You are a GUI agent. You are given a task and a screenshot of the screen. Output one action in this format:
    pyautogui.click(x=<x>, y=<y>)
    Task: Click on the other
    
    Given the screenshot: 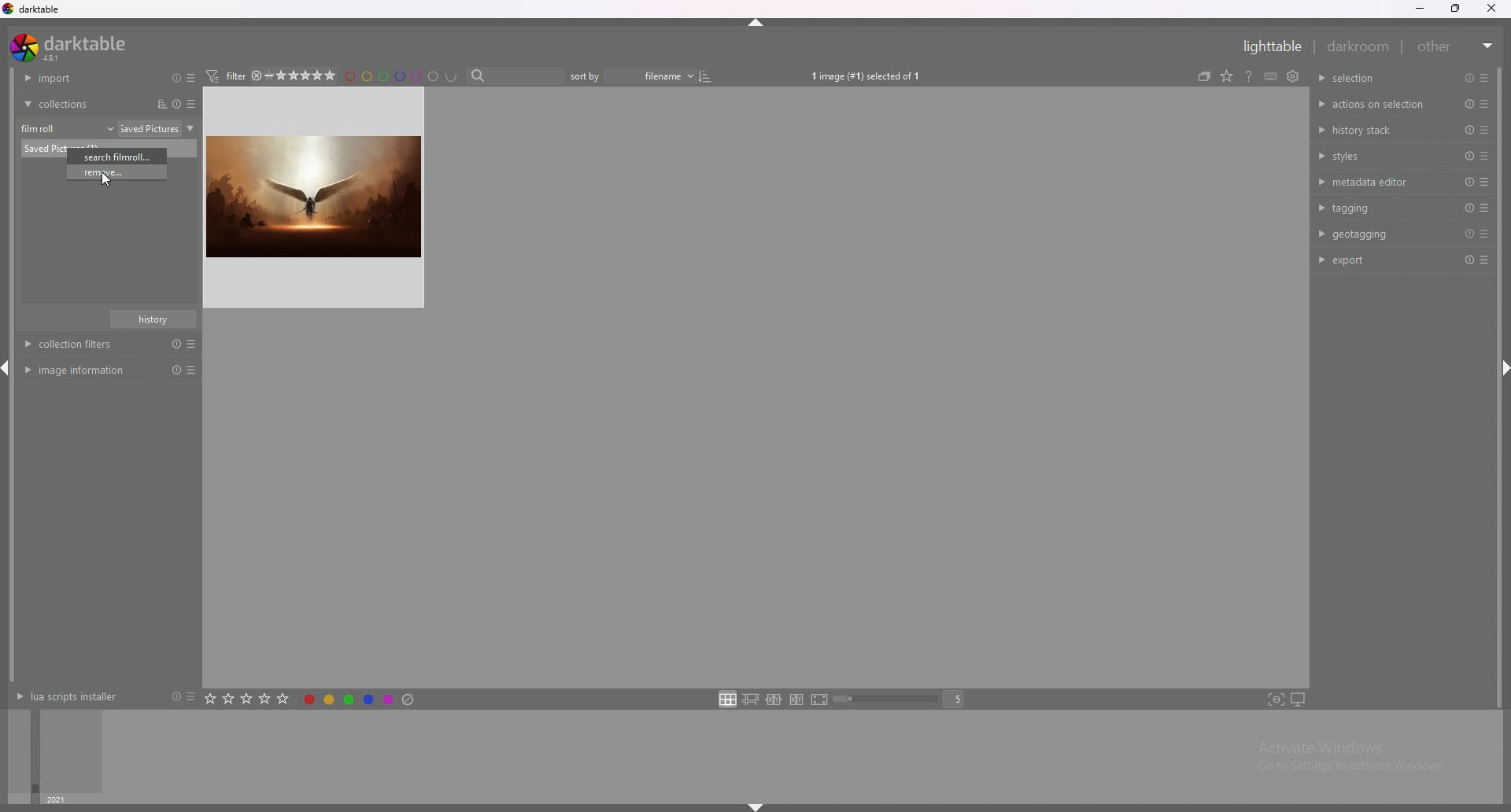 What is the action you would take?
    pyautogui.click(x=1457, y=46)
    